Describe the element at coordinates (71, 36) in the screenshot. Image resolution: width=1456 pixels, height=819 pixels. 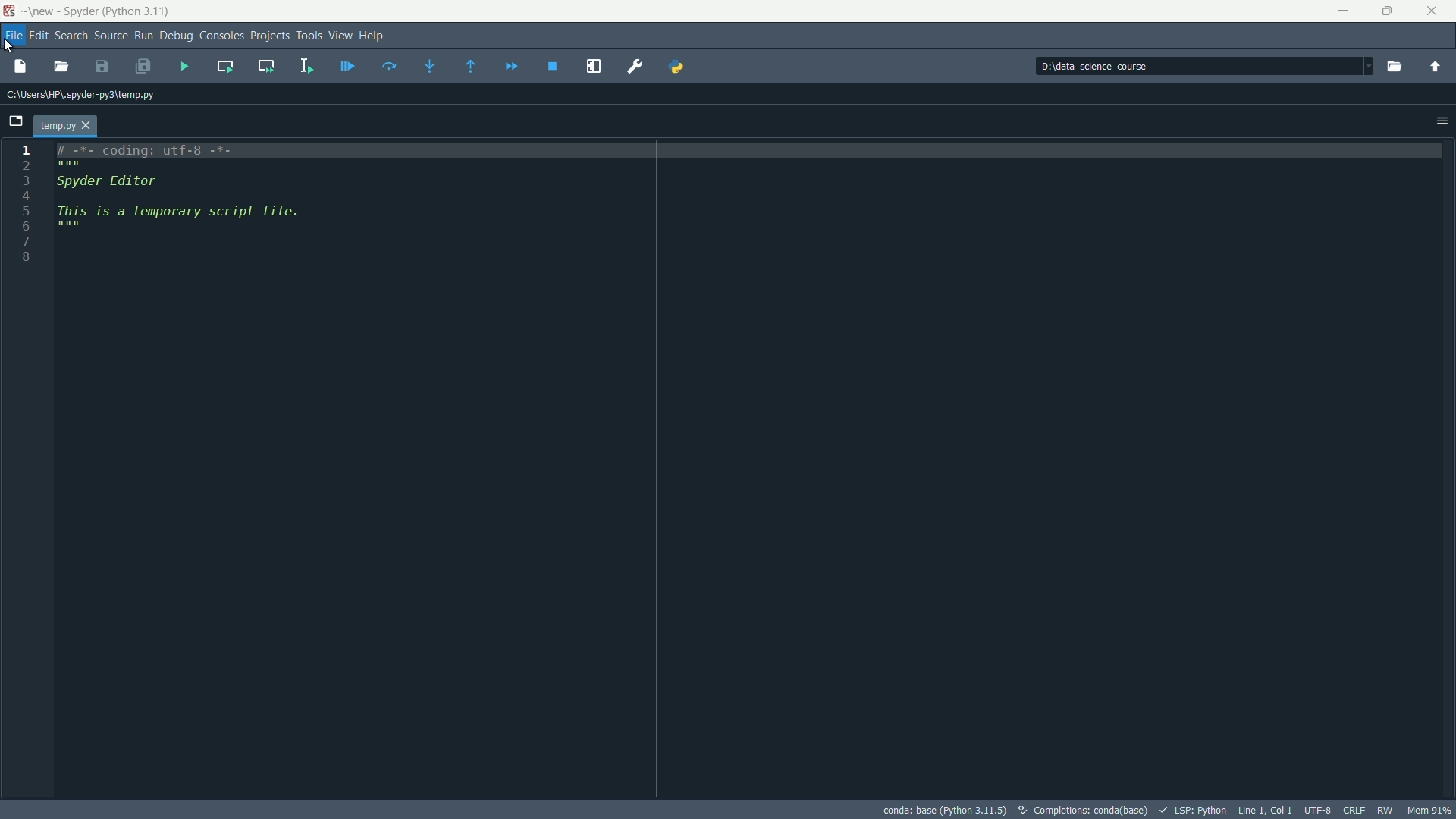
I see `search menu` at that location.